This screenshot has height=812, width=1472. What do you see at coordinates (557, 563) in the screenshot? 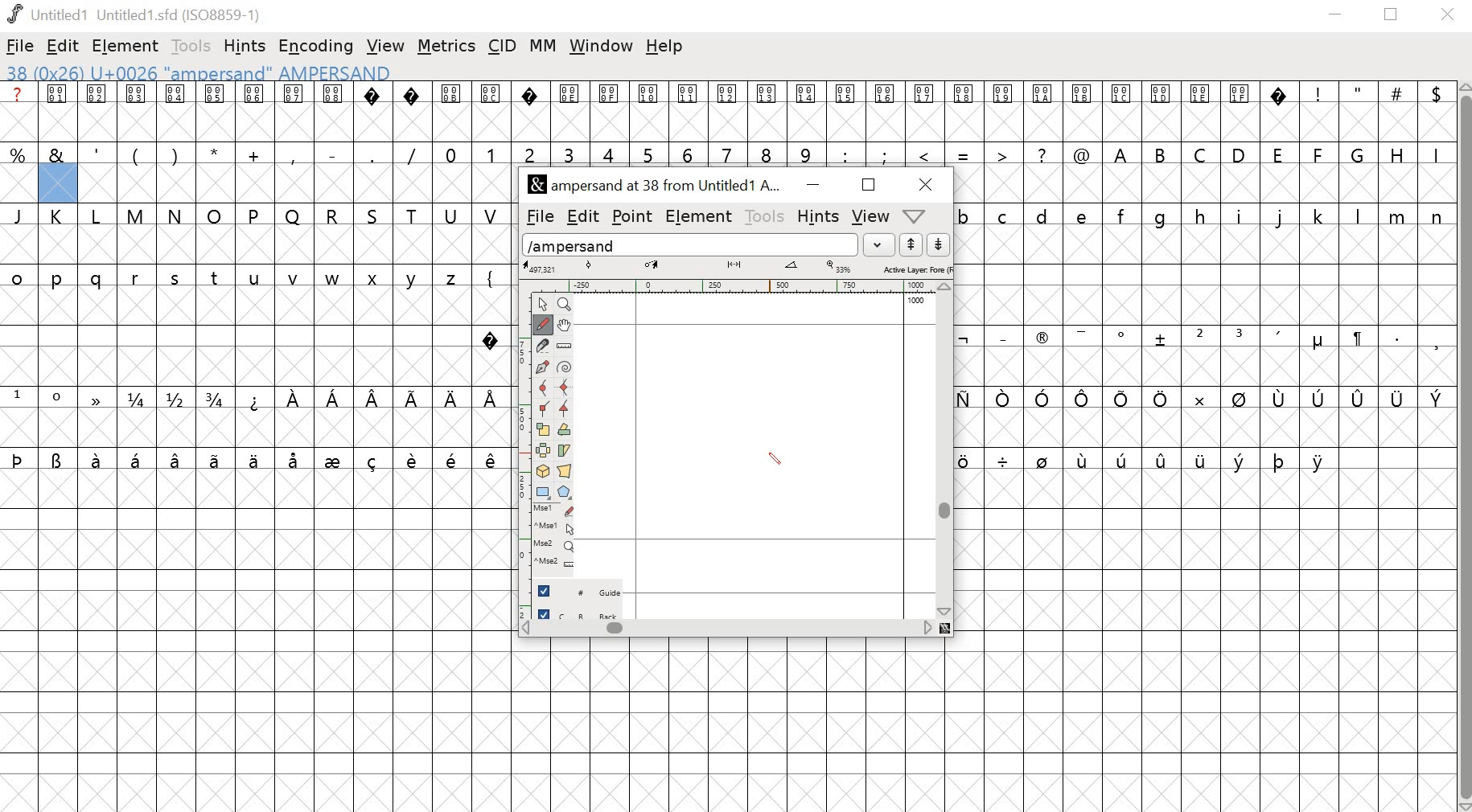
I see `^Mse2` at bounding box center [557, 563].